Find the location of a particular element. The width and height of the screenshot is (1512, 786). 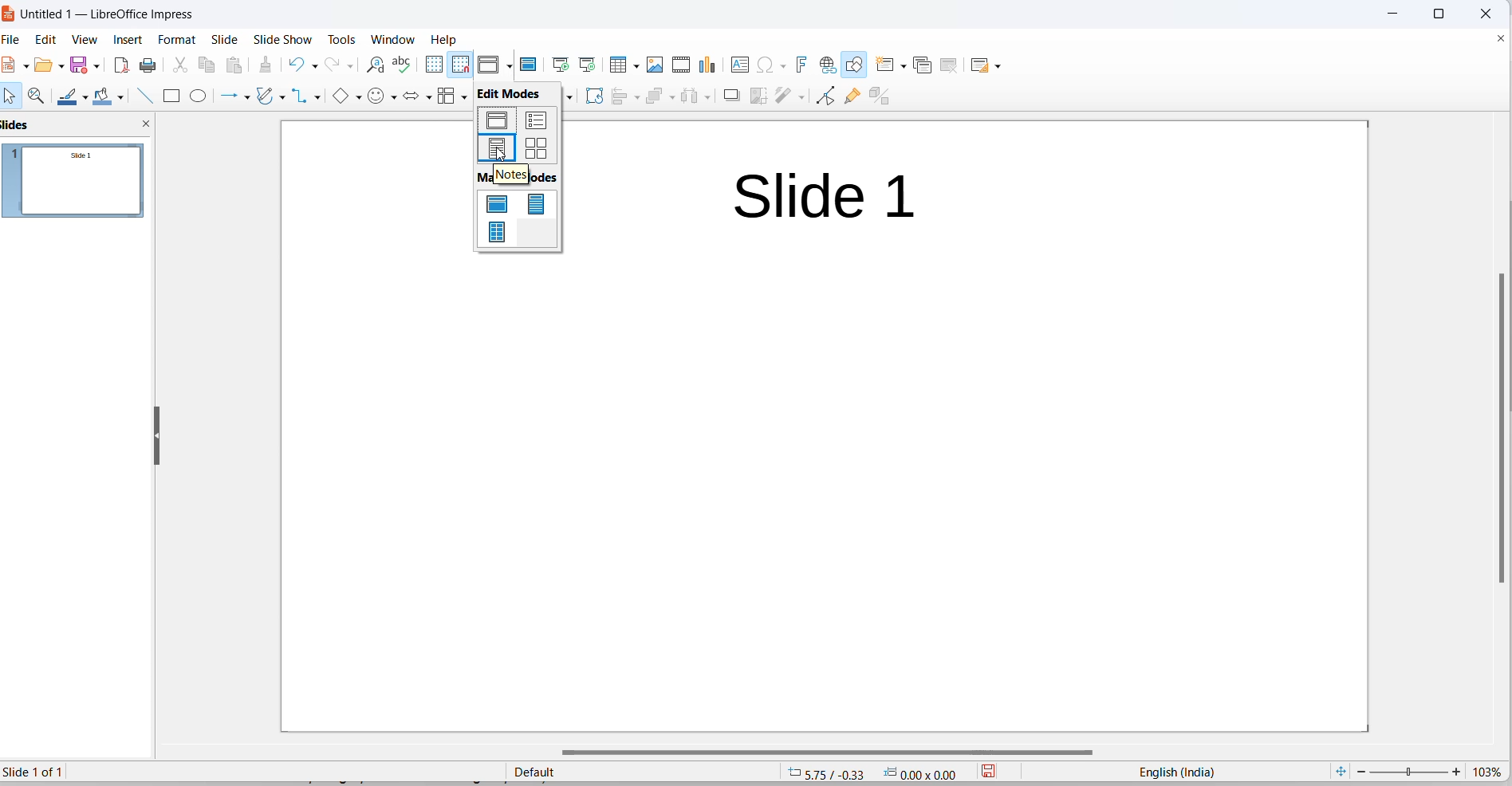

format is located at coordinates (179, 39).